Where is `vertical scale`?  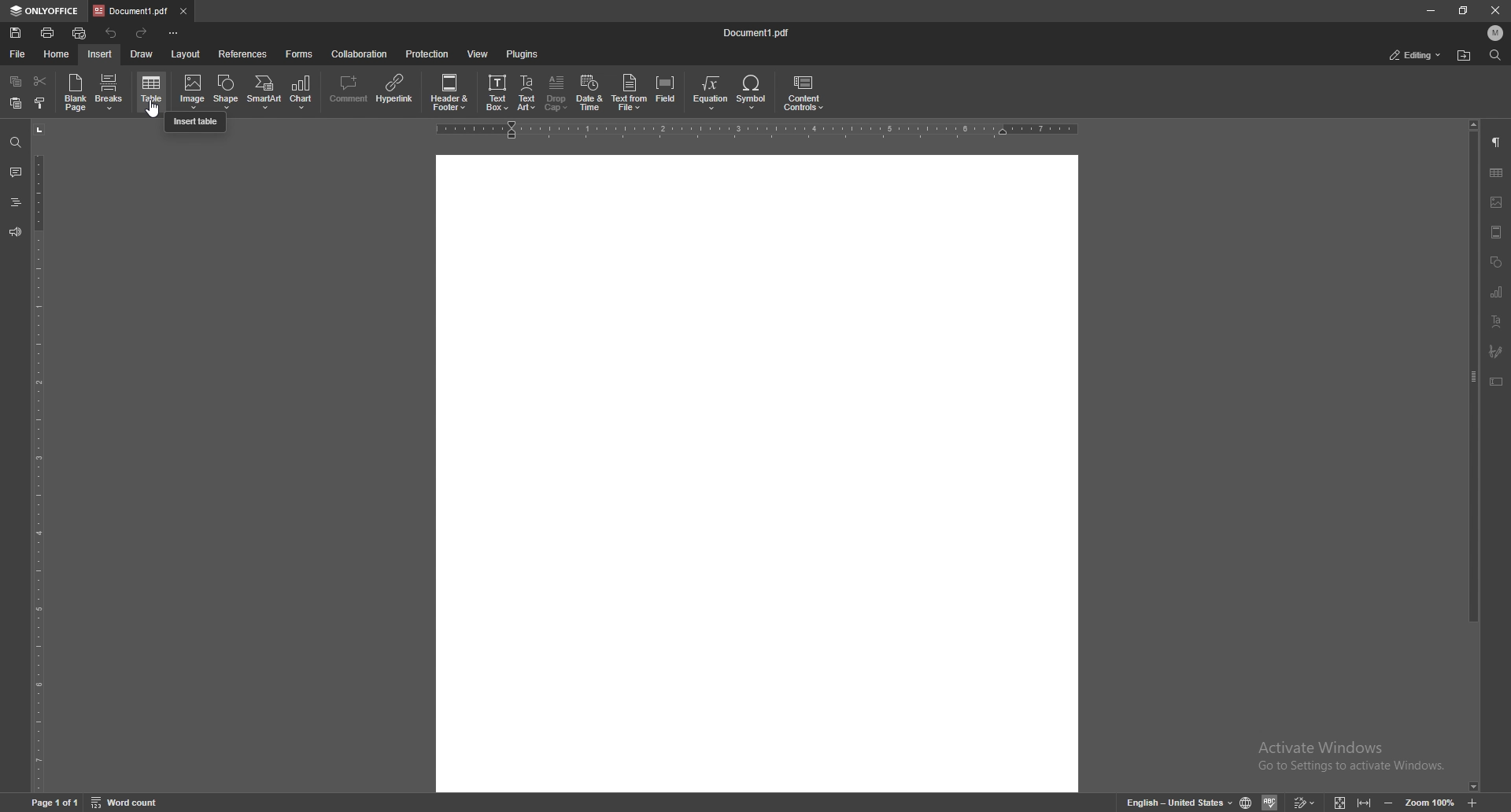
vertical scale is located at coordinates (39, 456).